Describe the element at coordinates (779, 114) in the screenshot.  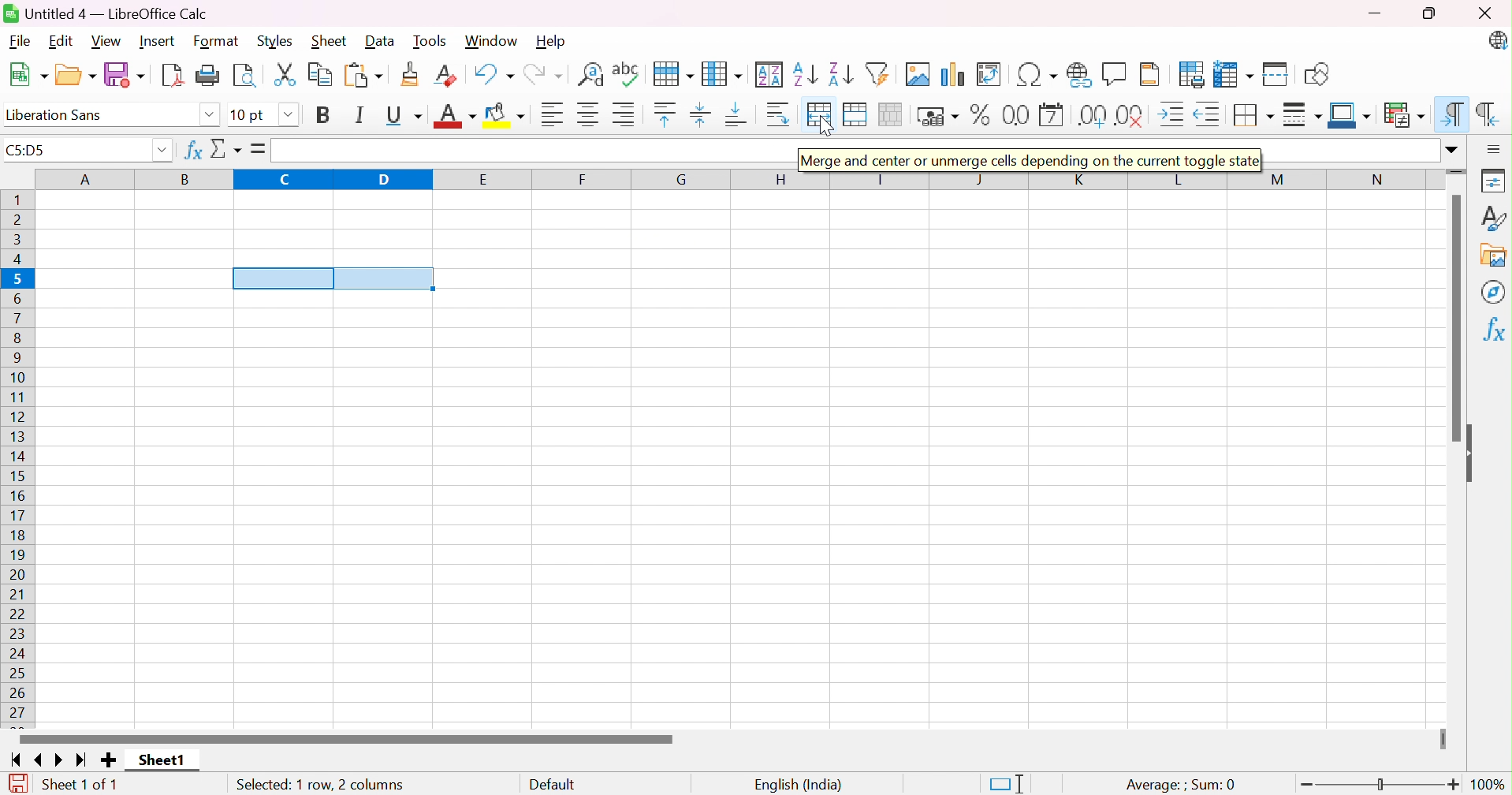
I see `Wrap Text` at that location.